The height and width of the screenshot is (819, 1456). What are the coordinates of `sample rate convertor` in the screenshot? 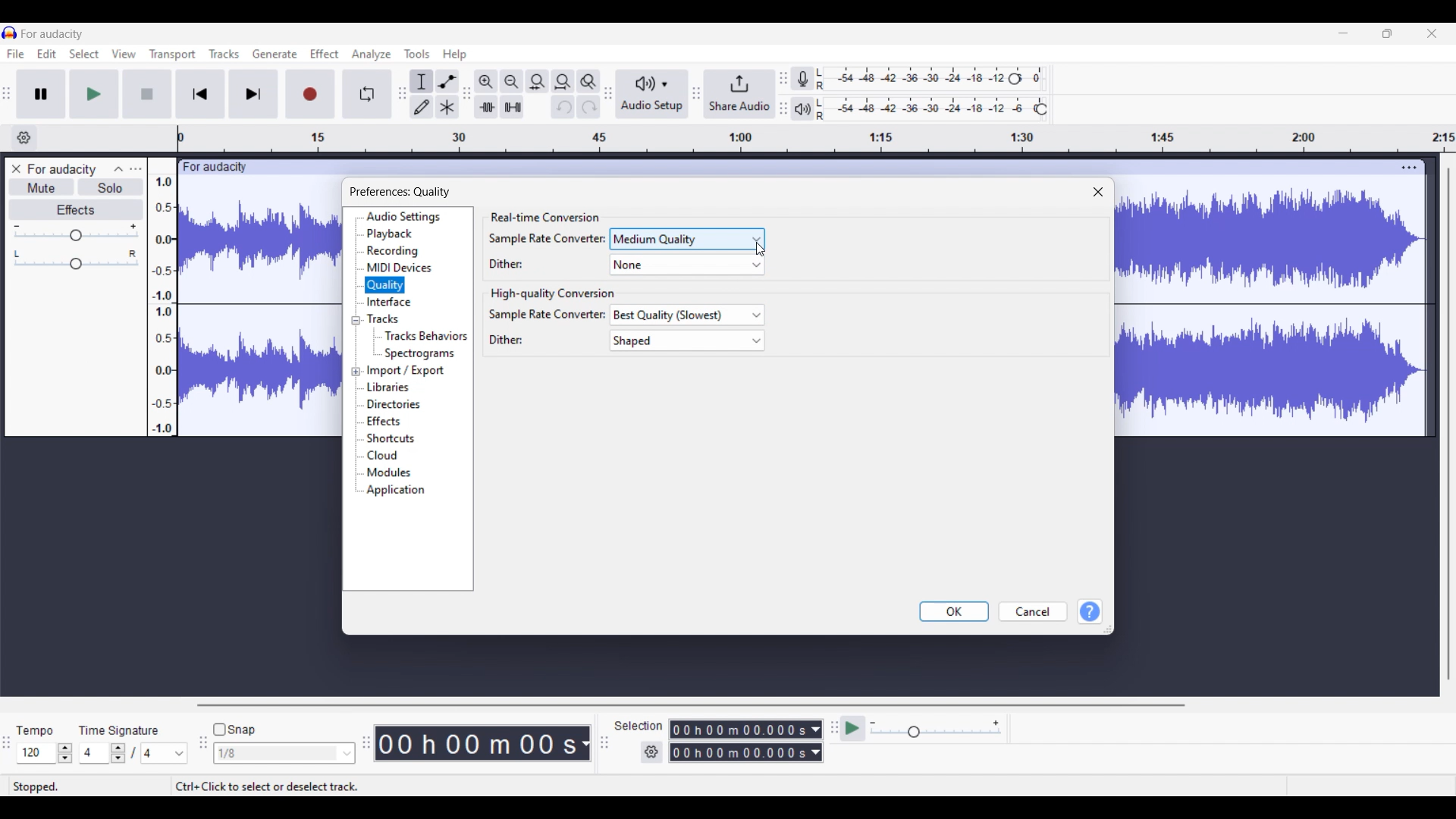 It's located at (548, 314).